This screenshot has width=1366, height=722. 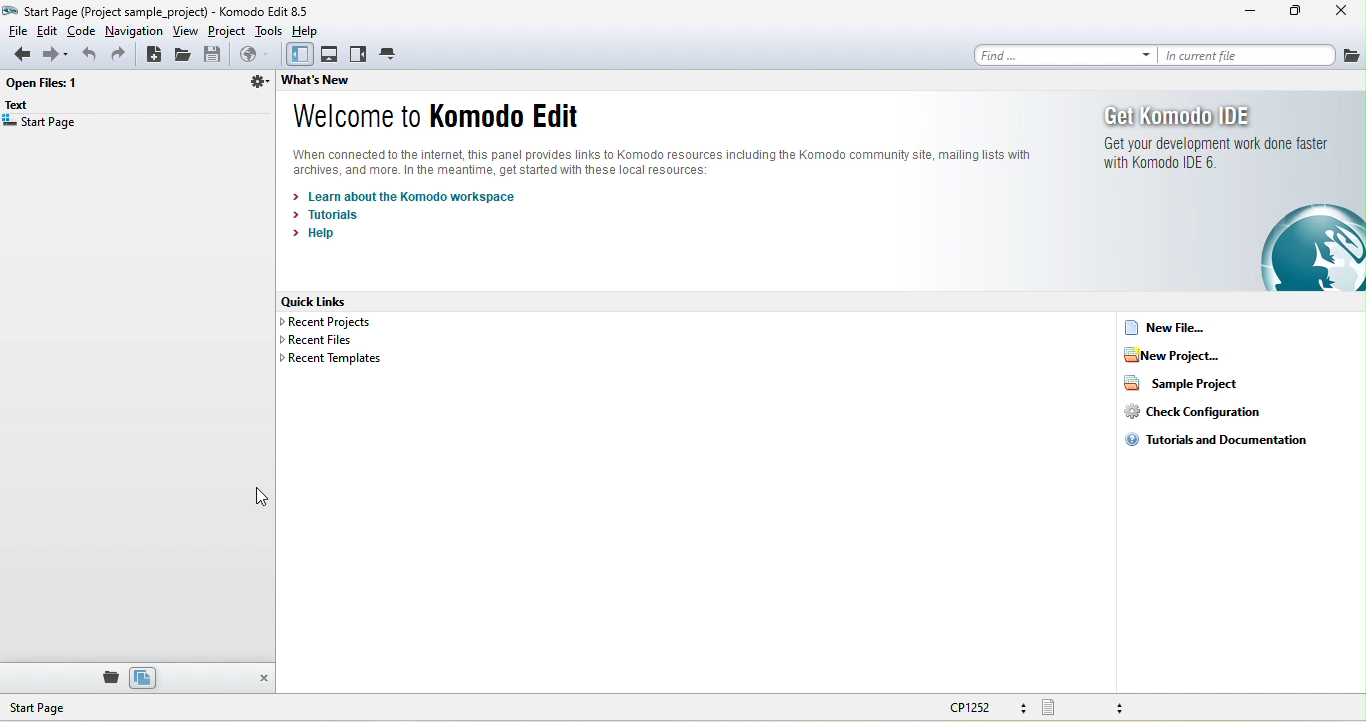 What do you see at coordinates (1295, 13) in the screenshot?
I see `maximize` at bounding box center [1295, 13].